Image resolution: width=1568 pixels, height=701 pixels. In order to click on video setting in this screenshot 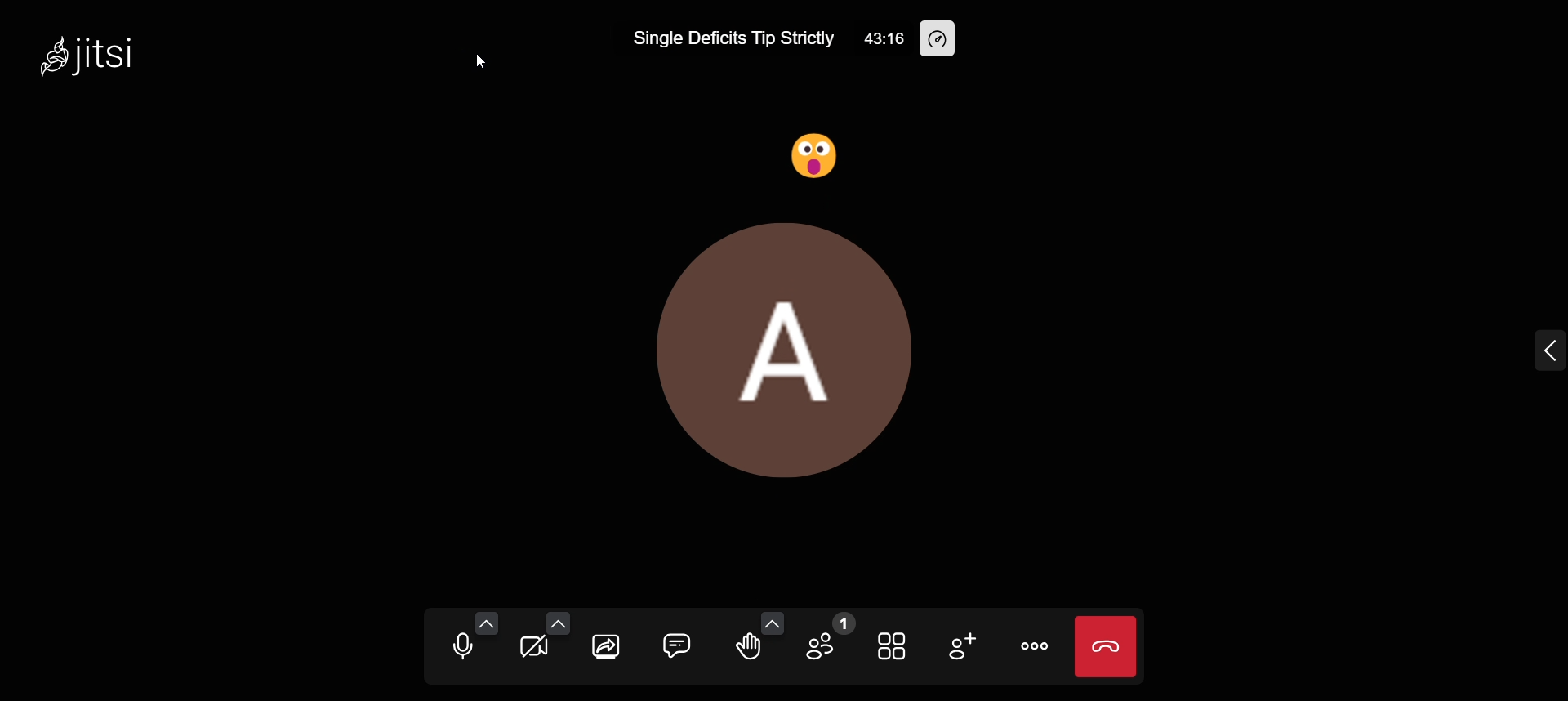, I will do `click(558, 622)`.